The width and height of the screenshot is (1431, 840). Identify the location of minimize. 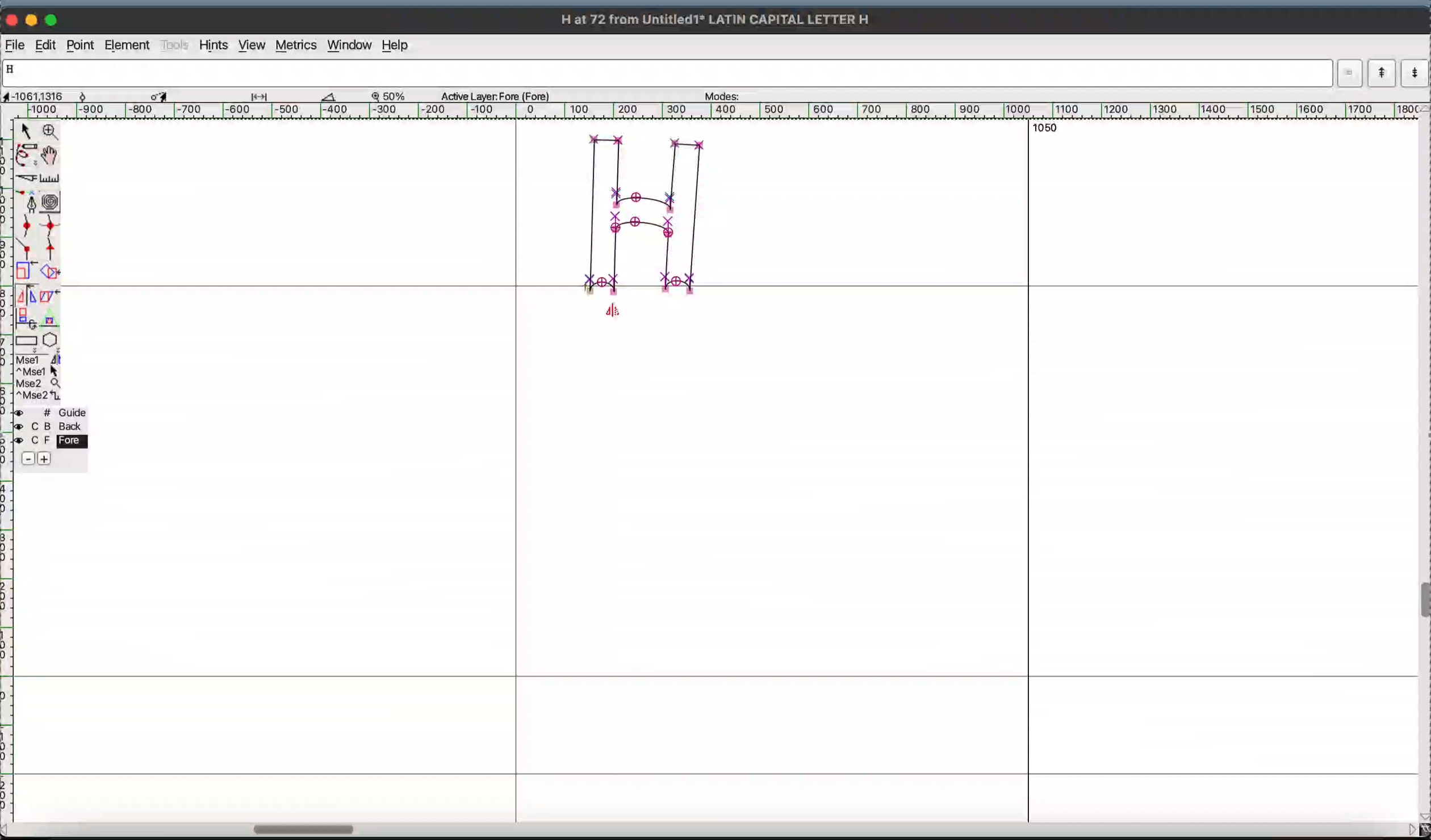
(34, 19).